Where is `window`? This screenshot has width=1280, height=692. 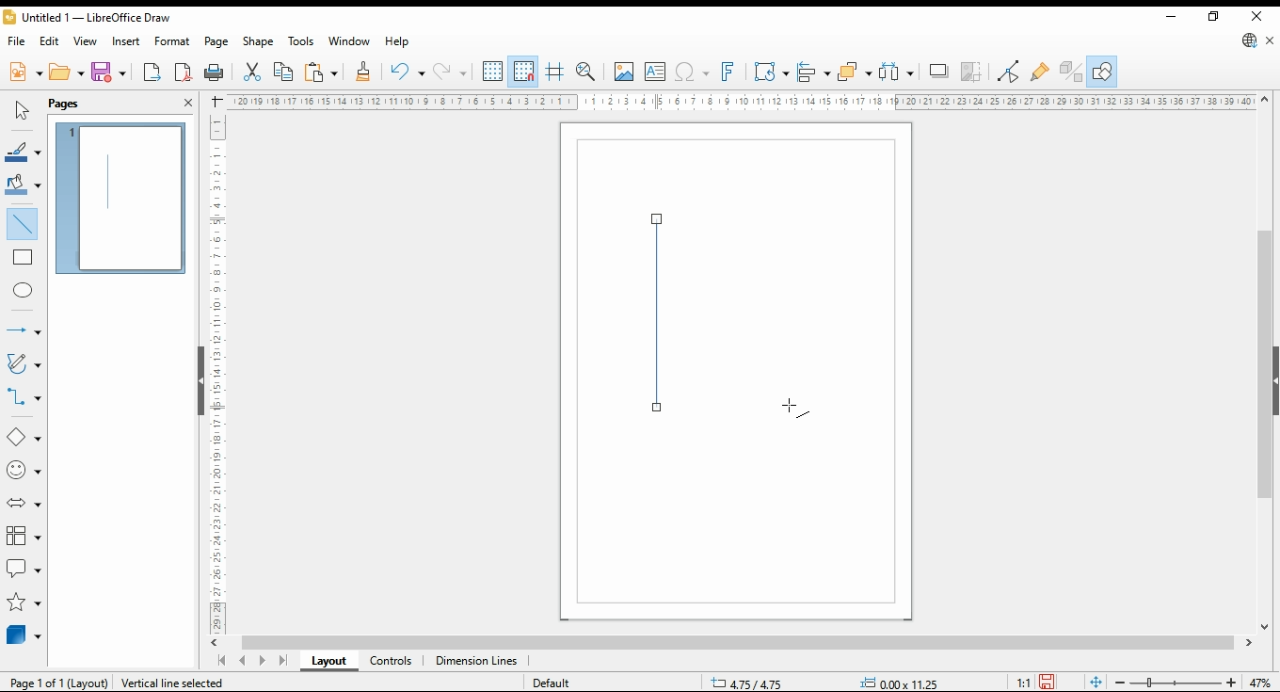
window is located at coordinates (350, 43).